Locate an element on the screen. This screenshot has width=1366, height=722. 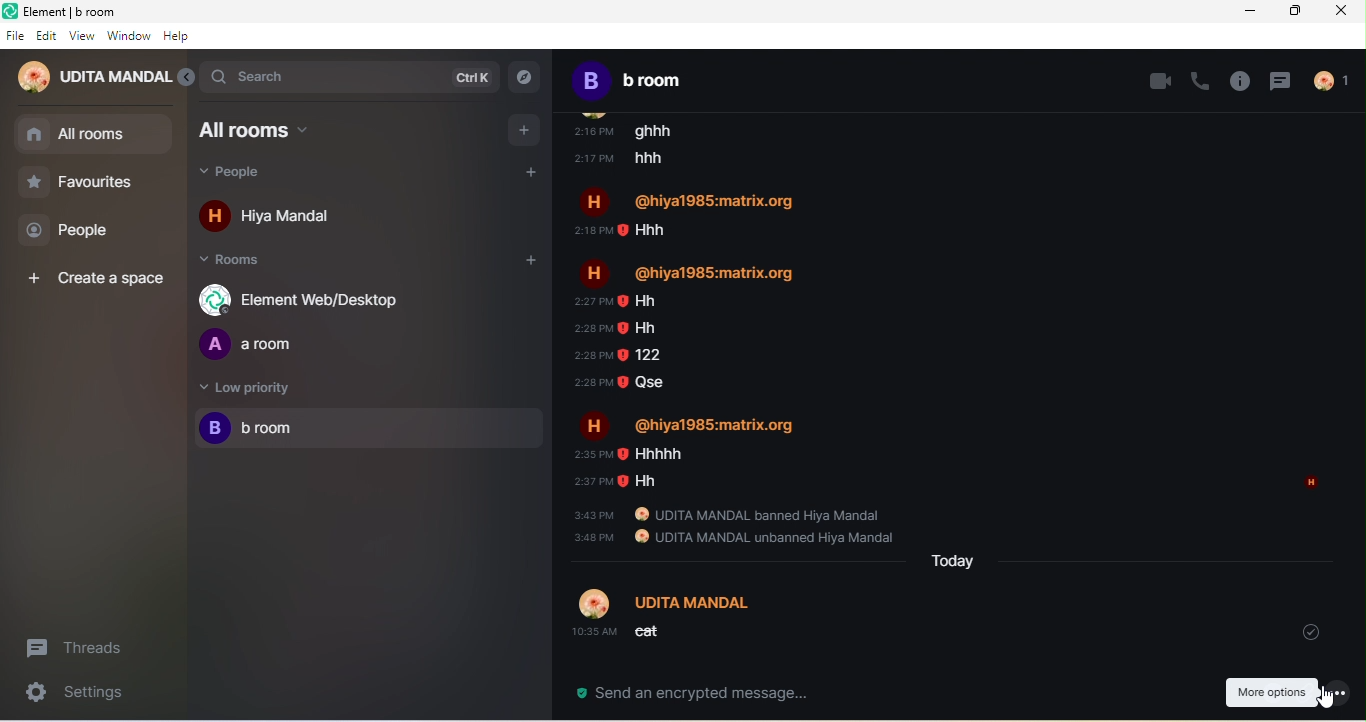
maximize is located at coordinates (1300, 12).